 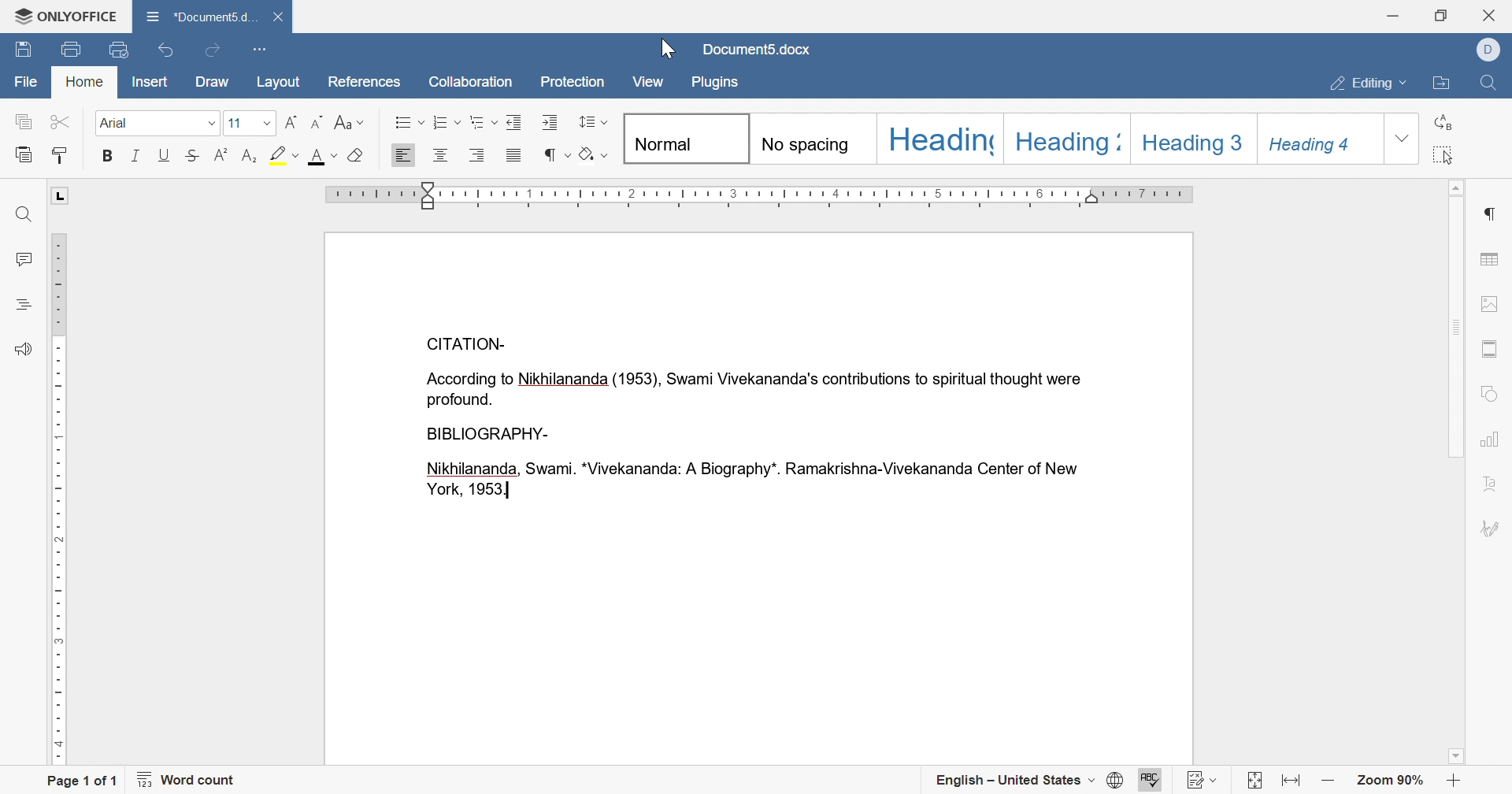 I want to click on font size, so click(x=250, y=124).